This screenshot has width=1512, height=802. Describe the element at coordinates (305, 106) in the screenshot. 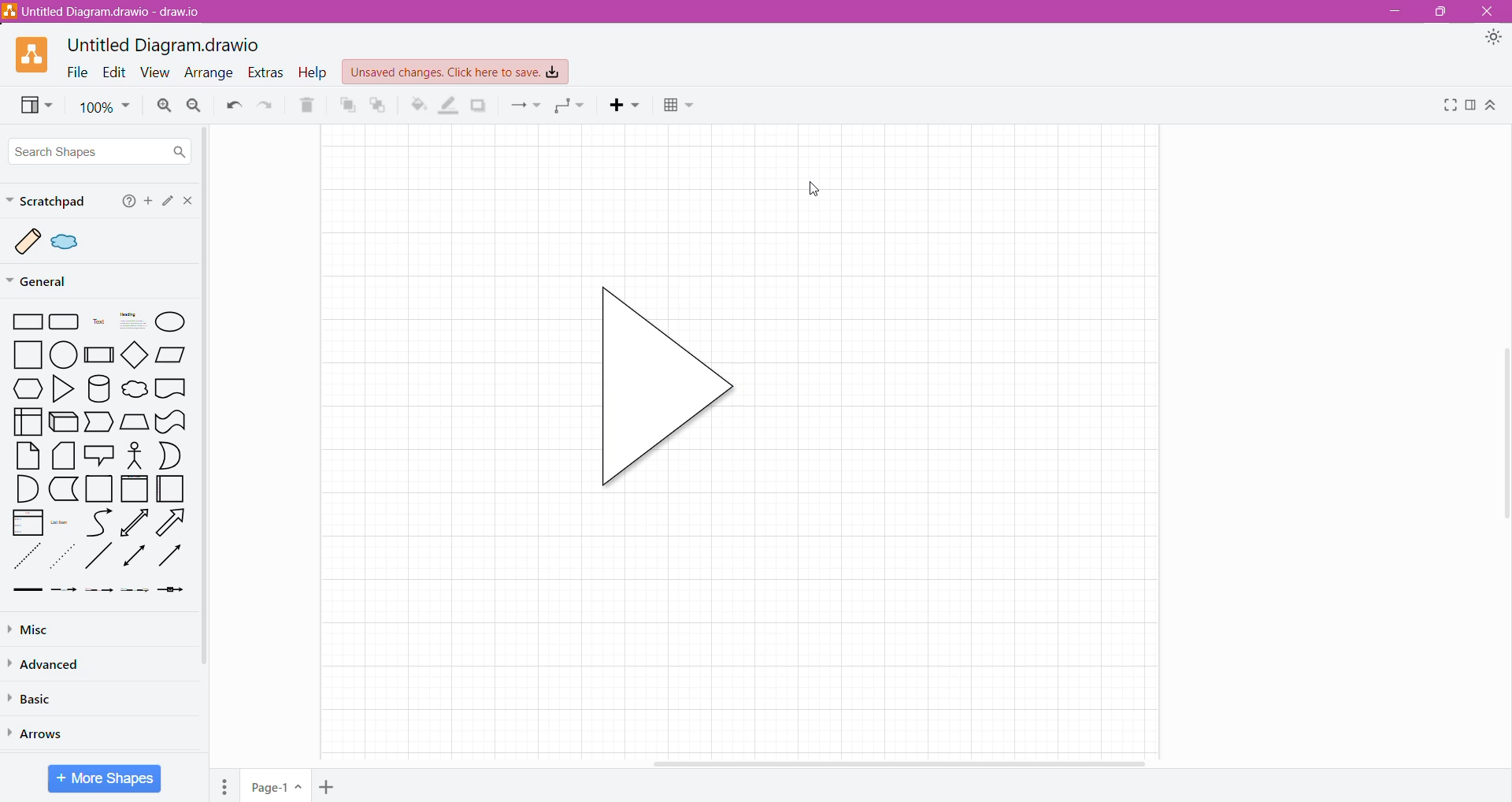

I see `Delete` at that location.